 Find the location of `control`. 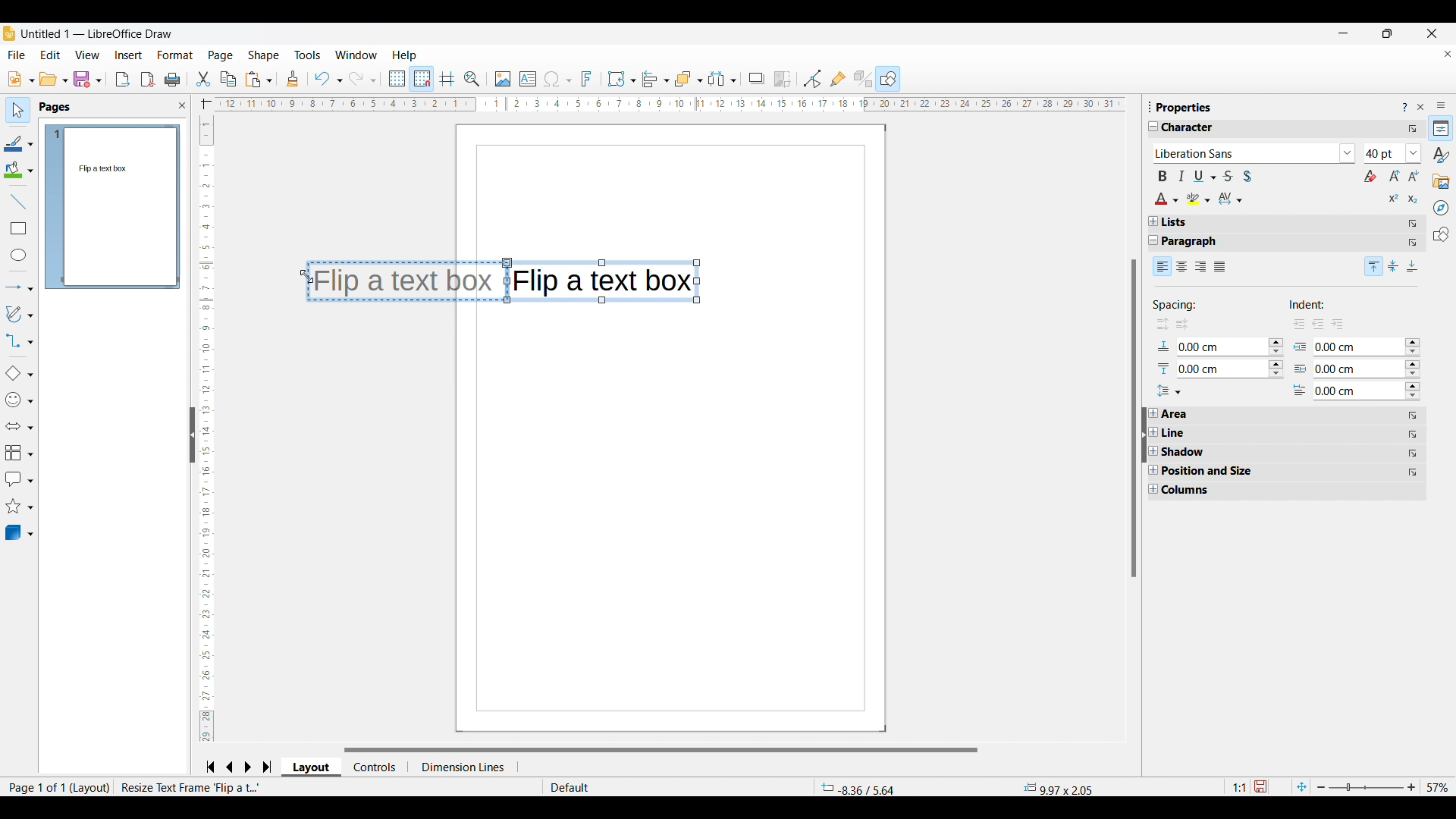

control is located at coordinates (382, 767).